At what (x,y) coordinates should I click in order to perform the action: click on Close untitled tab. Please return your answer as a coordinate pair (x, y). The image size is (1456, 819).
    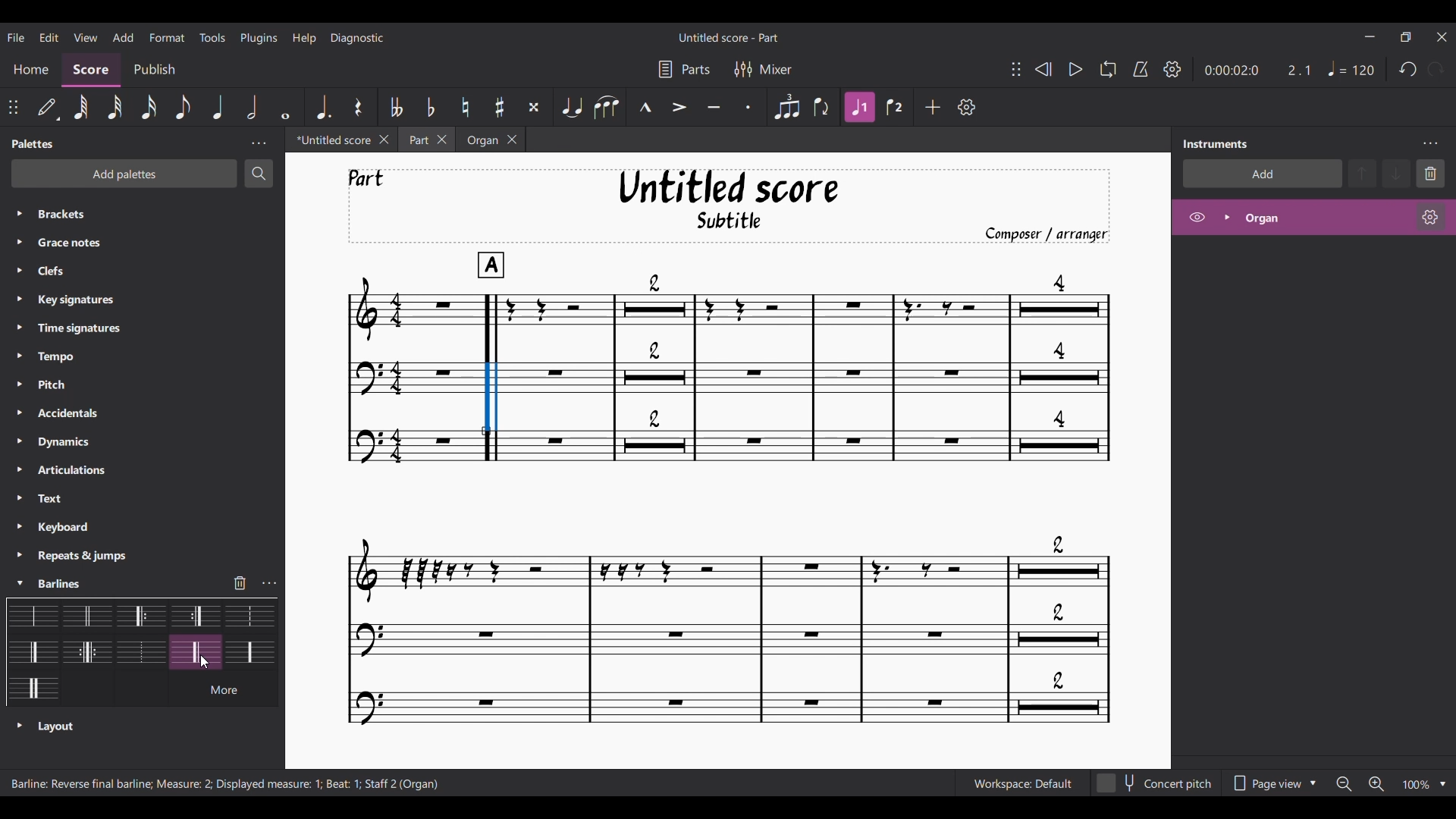
    Looking at the image, I should click on (384, 140).